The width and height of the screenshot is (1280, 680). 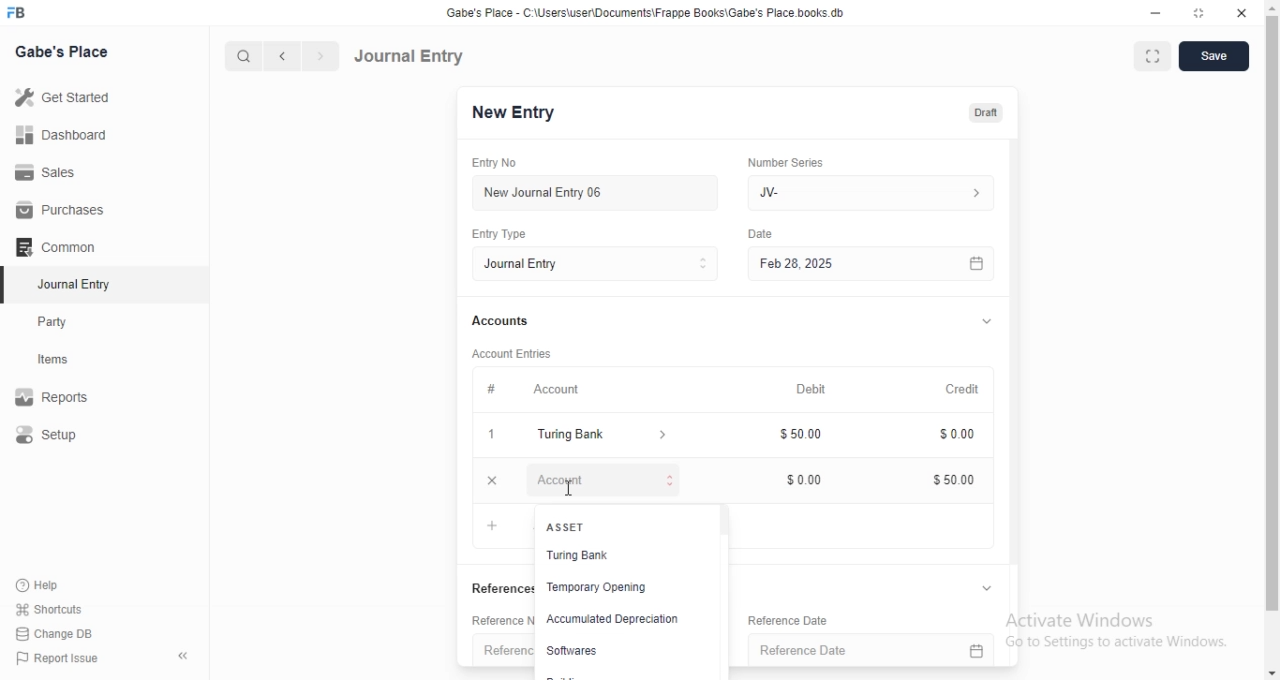 I want to click on , so click(x=767, y=235).